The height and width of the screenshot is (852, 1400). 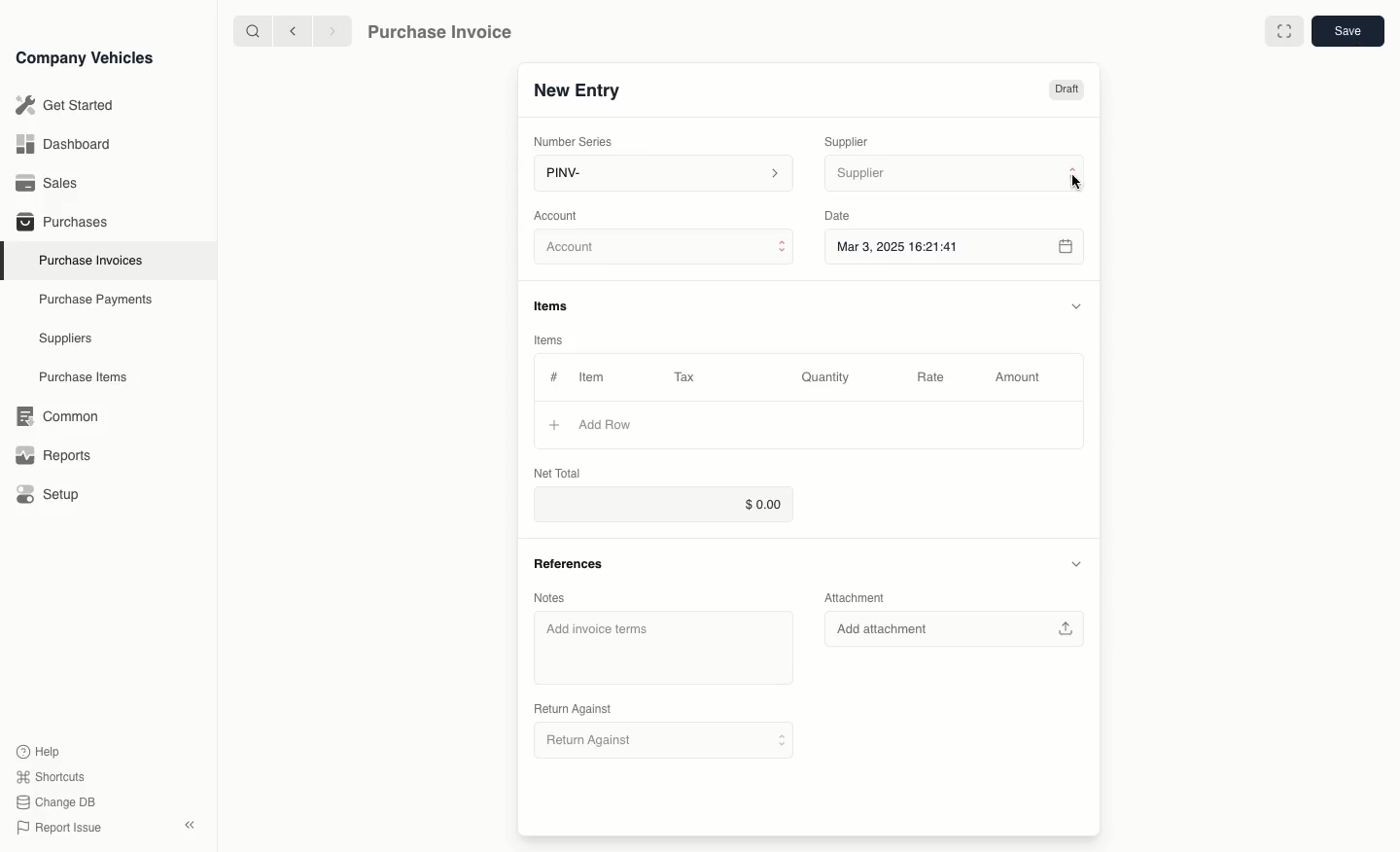 What do you see at coordinates (1076, 183) in the screenshot?
I see `cursor` at bounding box center [1076, 183].